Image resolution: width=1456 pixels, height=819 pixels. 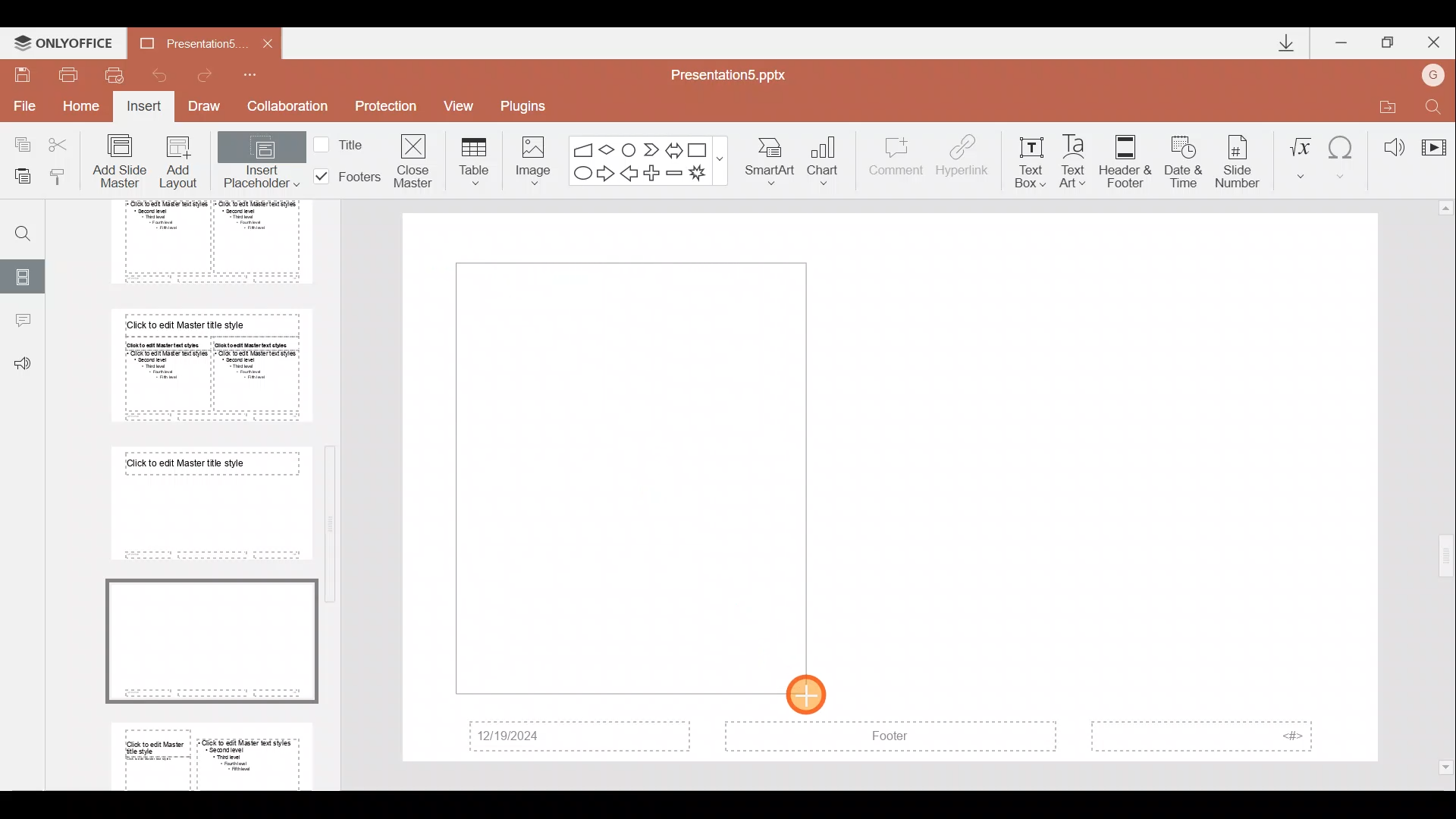 I want to click on Footers, so click(x=345, y=177).